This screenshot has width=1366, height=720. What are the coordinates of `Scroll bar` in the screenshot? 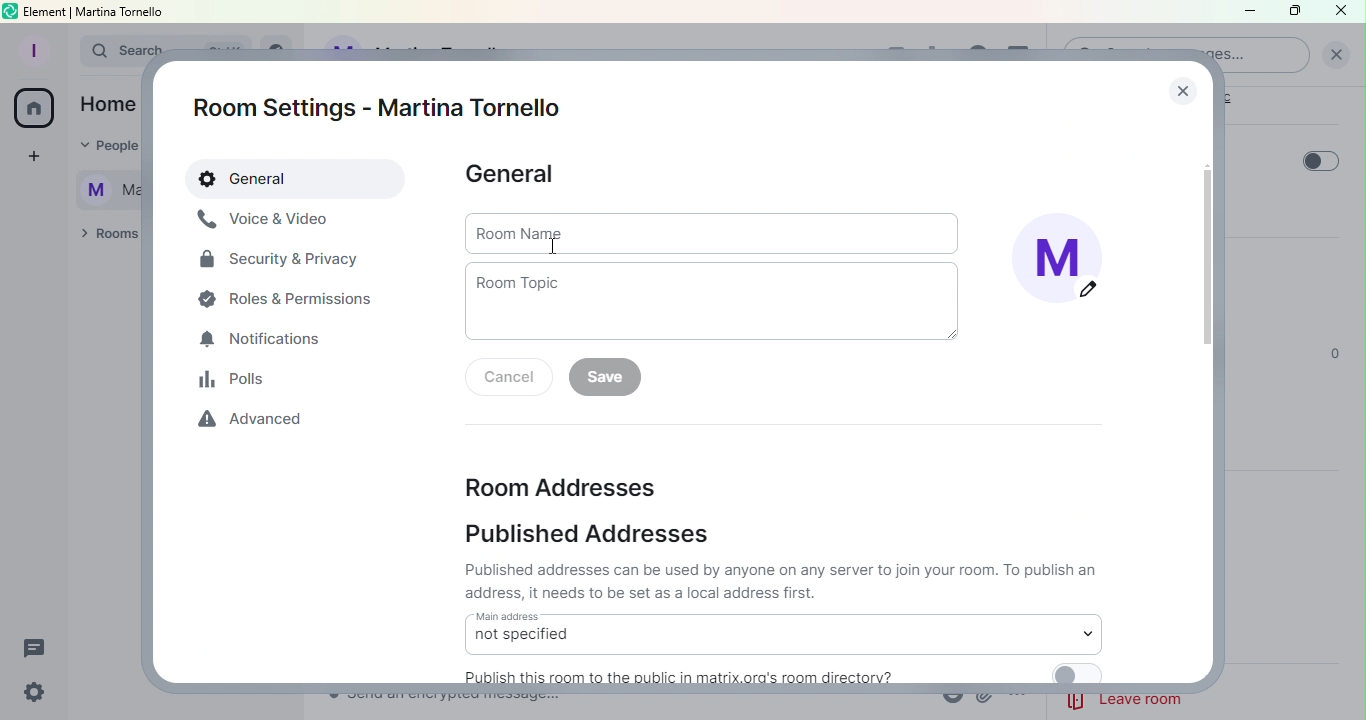 It's located at (1209, 390).